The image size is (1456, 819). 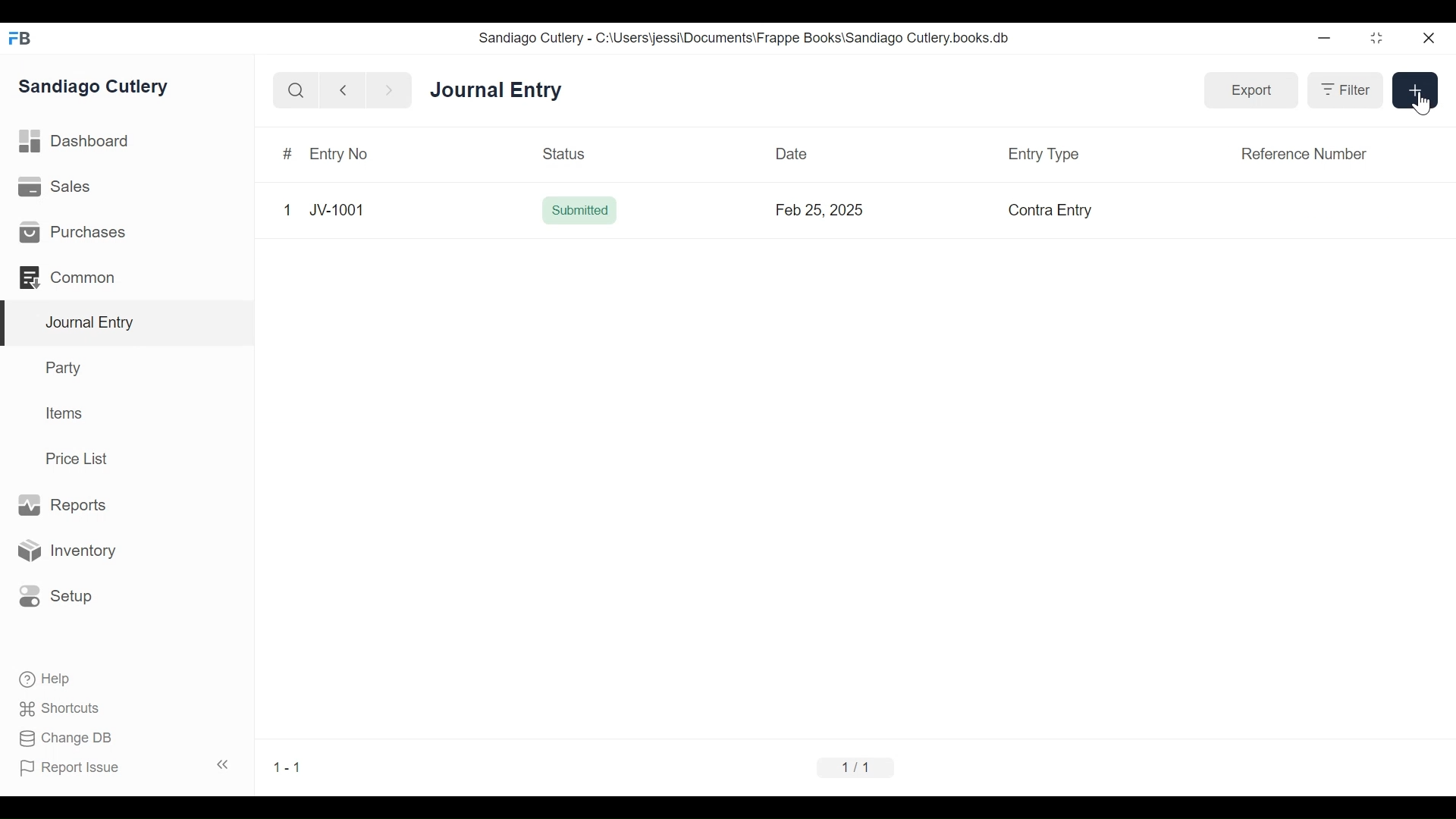 I want to click on Frappe Books Desktop icon, so click(x=19, y=38).